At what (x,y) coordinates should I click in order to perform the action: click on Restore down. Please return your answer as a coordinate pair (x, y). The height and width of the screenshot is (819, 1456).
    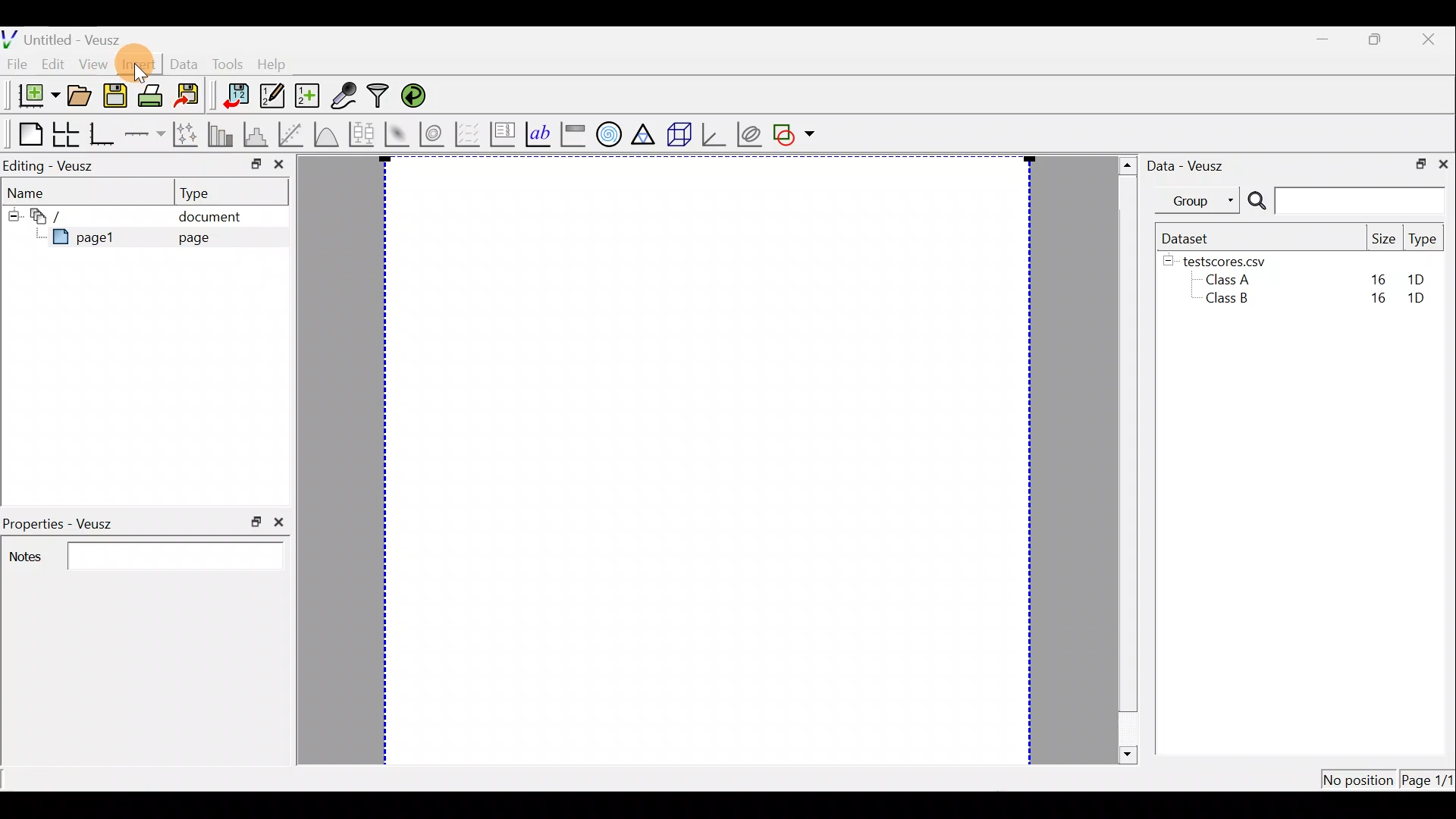
    Looking at the image, I should click on (1419, 165).